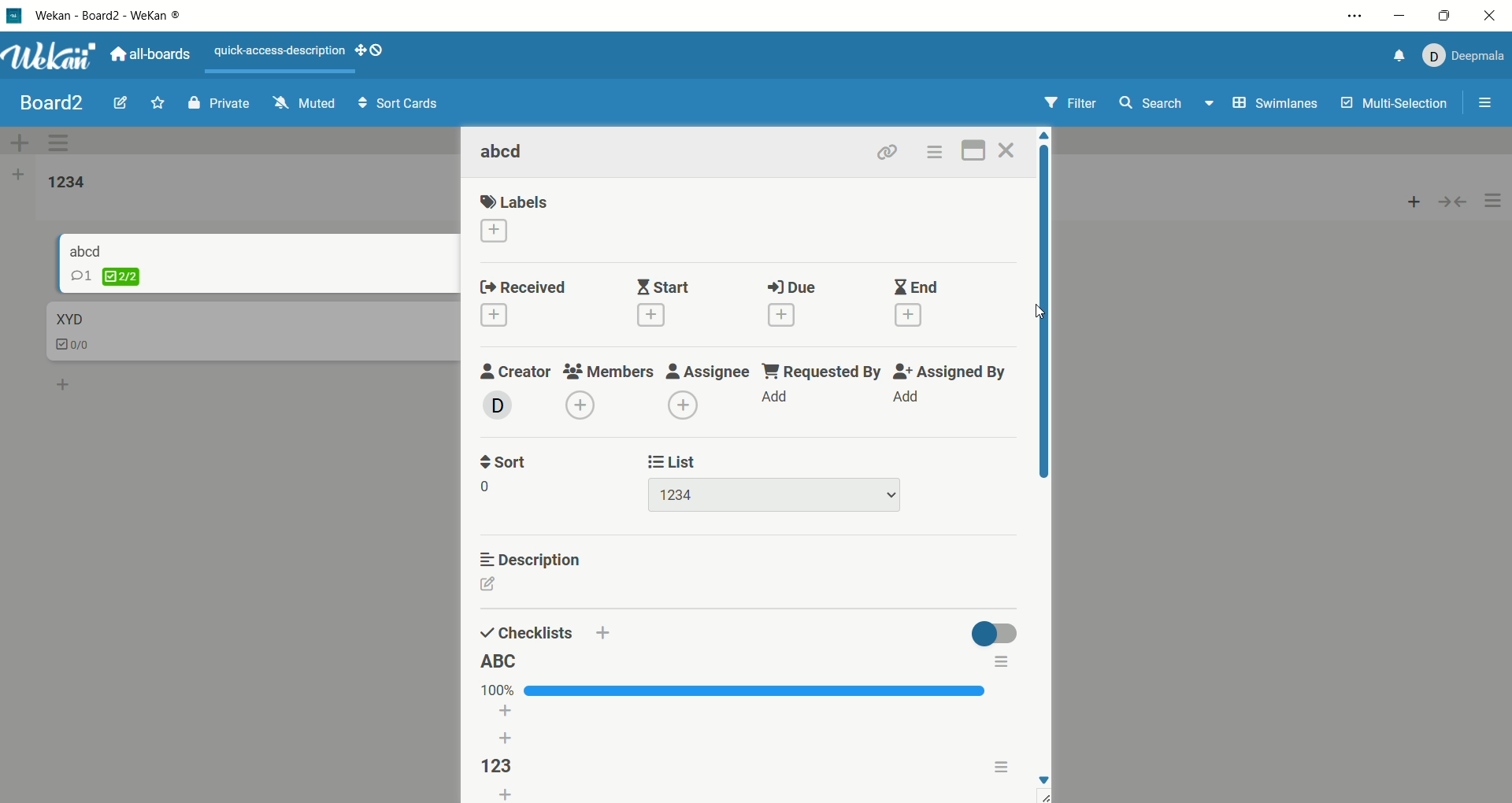 The image size is (1512, 803). What do you see at coordinates (494, 315) in the screenshot?
I see `add` at bounding box center [494, 315].